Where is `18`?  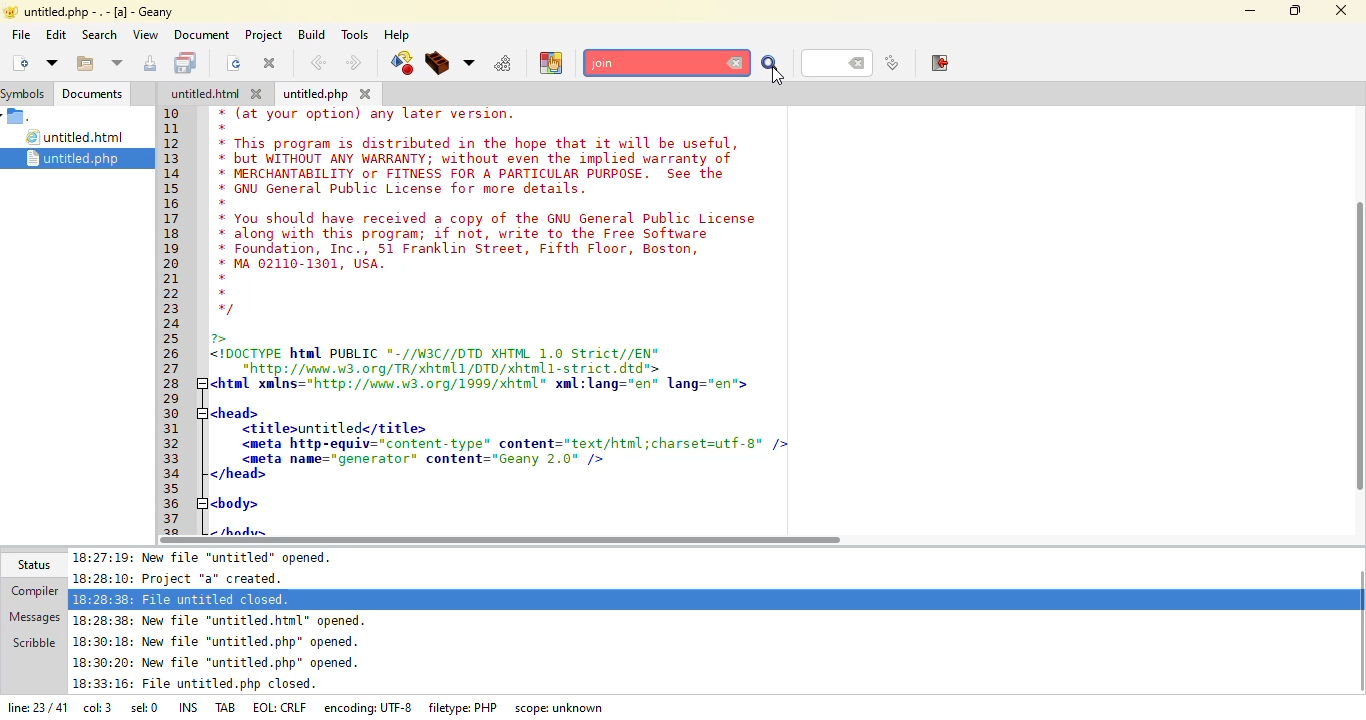 18 is located at coordinates (177, 236).